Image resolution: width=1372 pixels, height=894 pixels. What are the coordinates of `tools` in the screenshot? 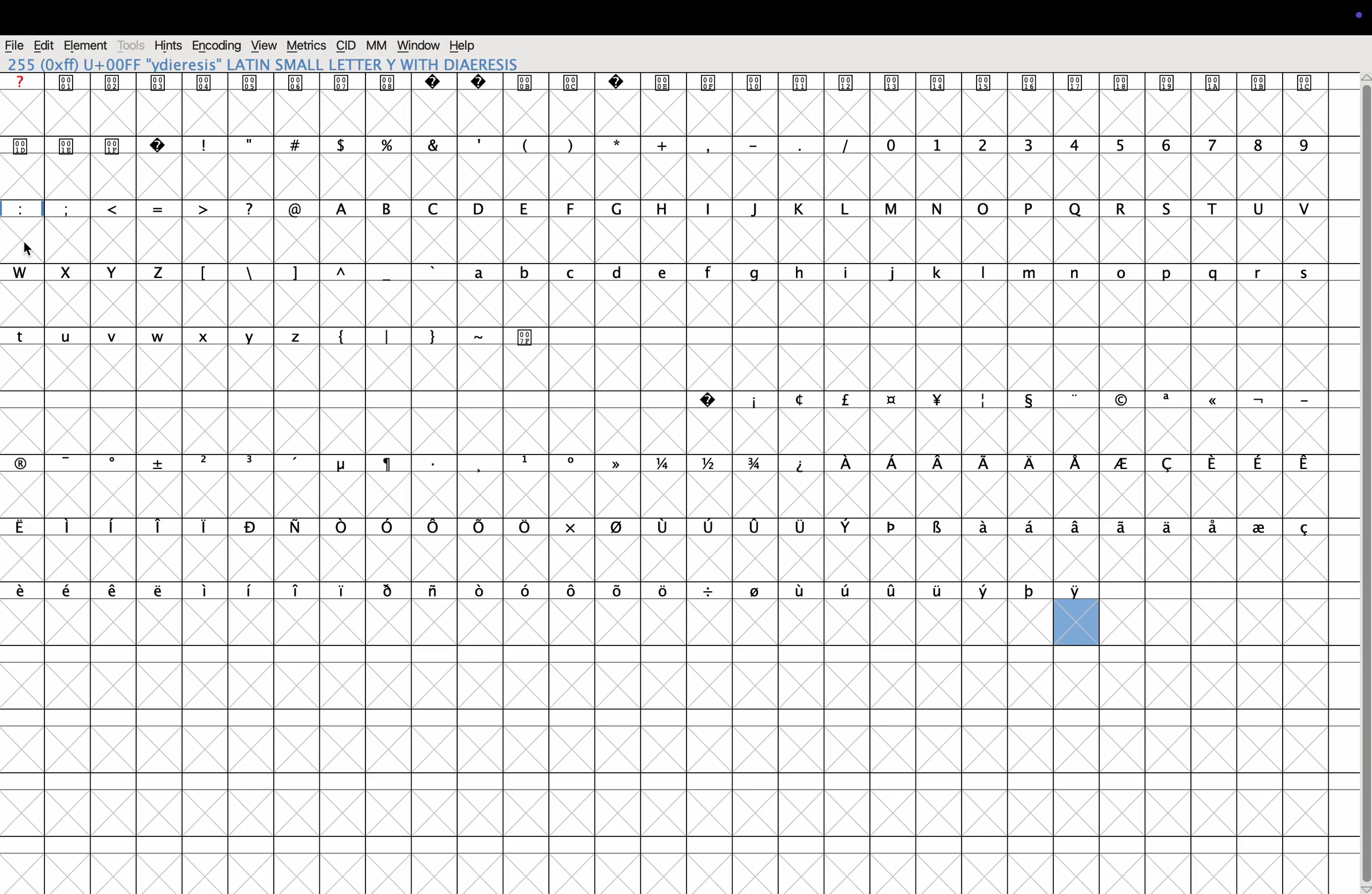 It's located at (130, 46).